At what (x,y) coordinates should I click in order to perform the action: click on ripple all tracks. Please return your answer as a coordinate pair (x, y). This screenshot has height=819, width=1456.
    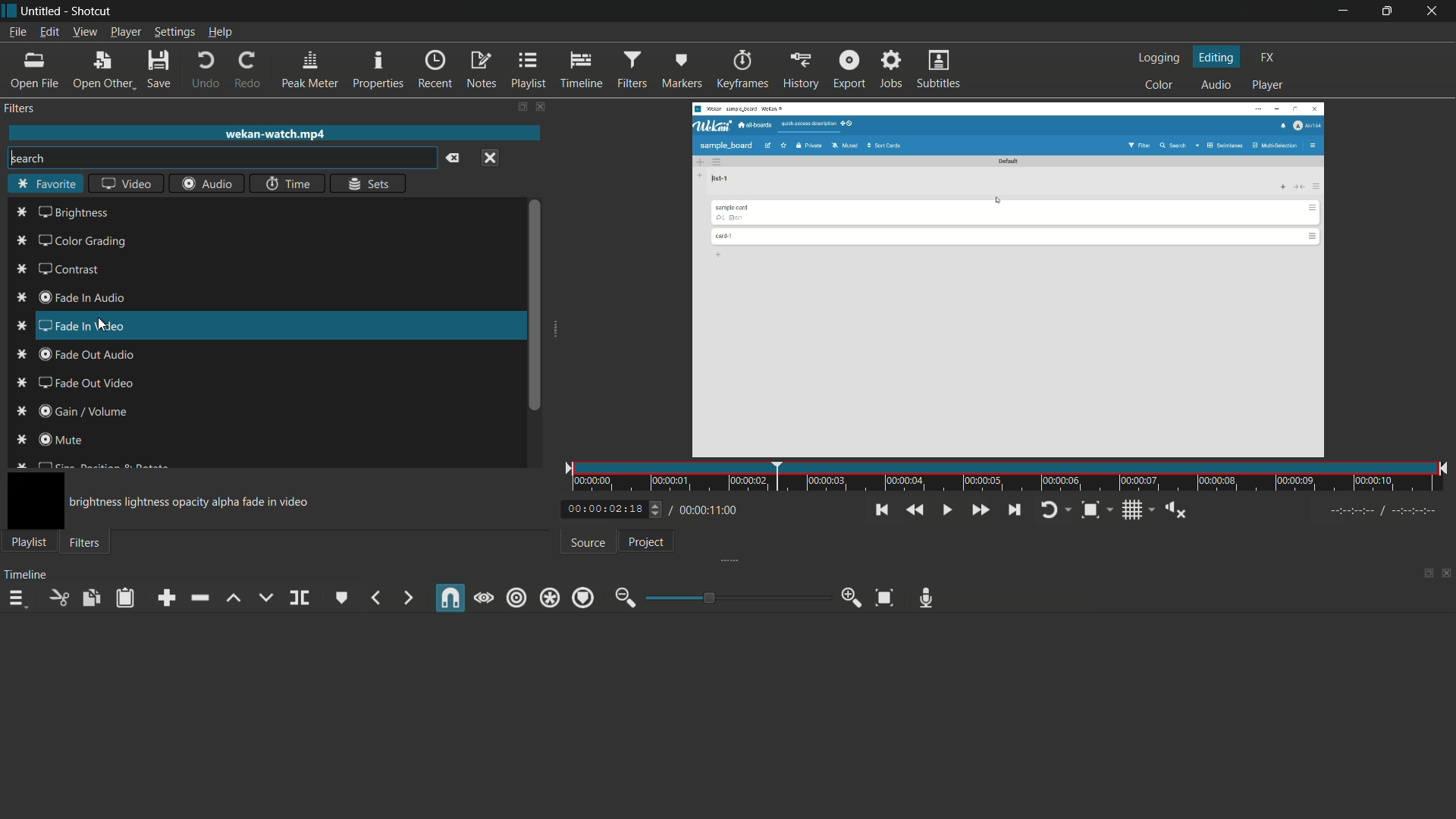
    Looking at the image, I should click on (550, 598).